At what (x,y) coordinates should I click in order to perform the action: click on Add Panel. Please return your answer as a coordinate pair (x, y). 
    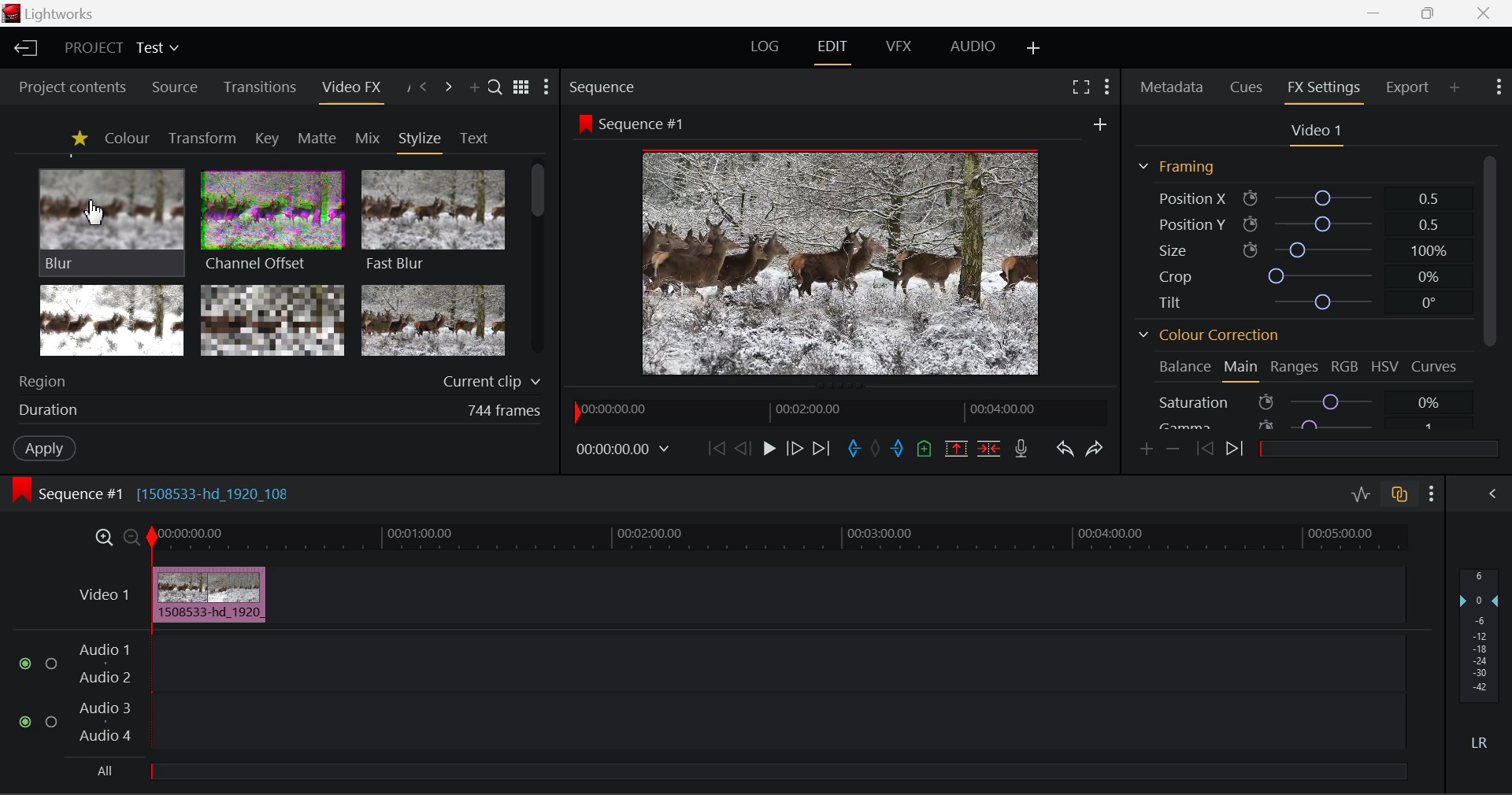
    Looking at the image, I should click on (1455, 89).